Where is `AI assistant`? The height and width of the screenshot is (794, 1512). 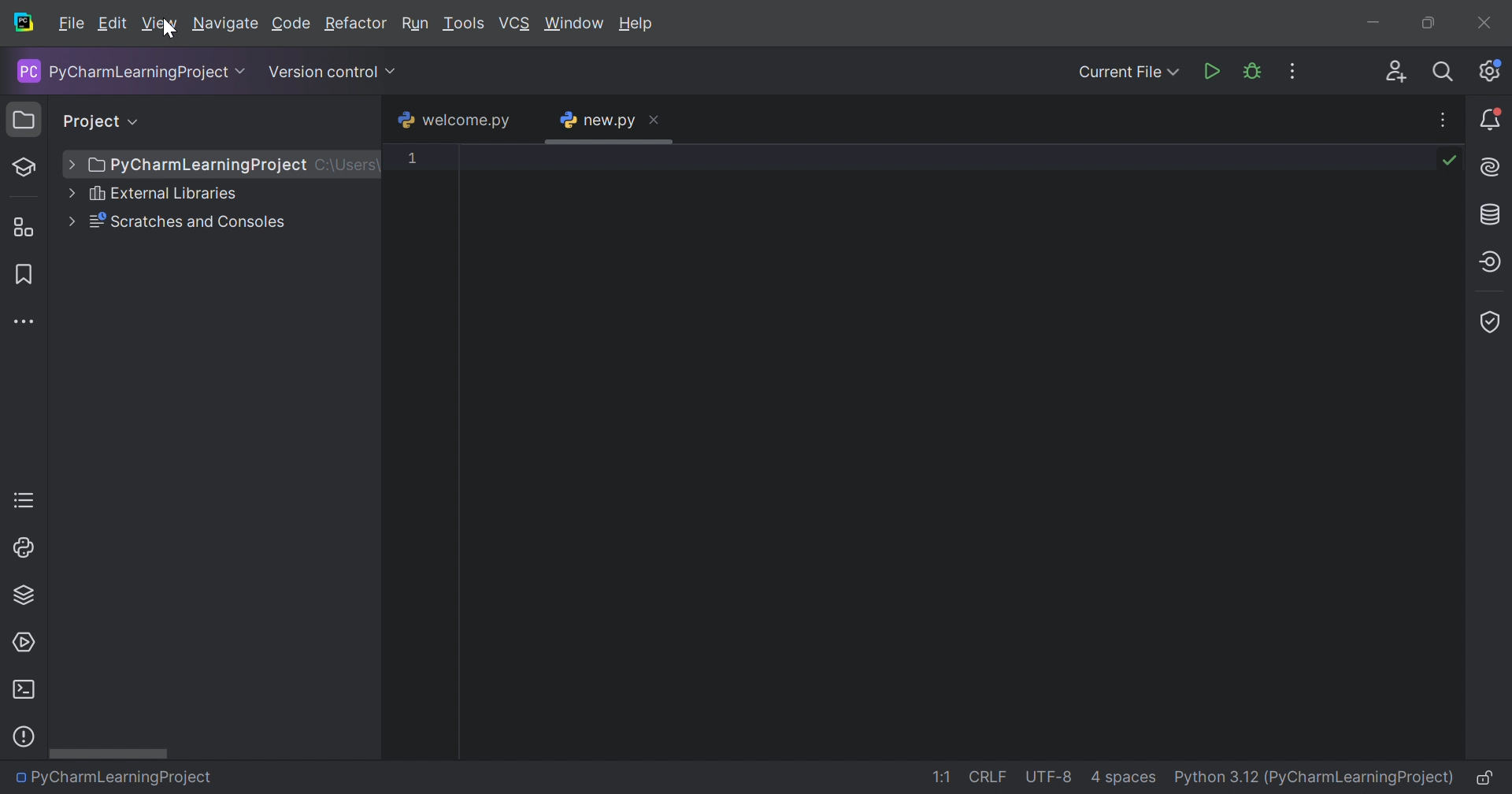
AI assistant is located at coordinates (1492, 167).